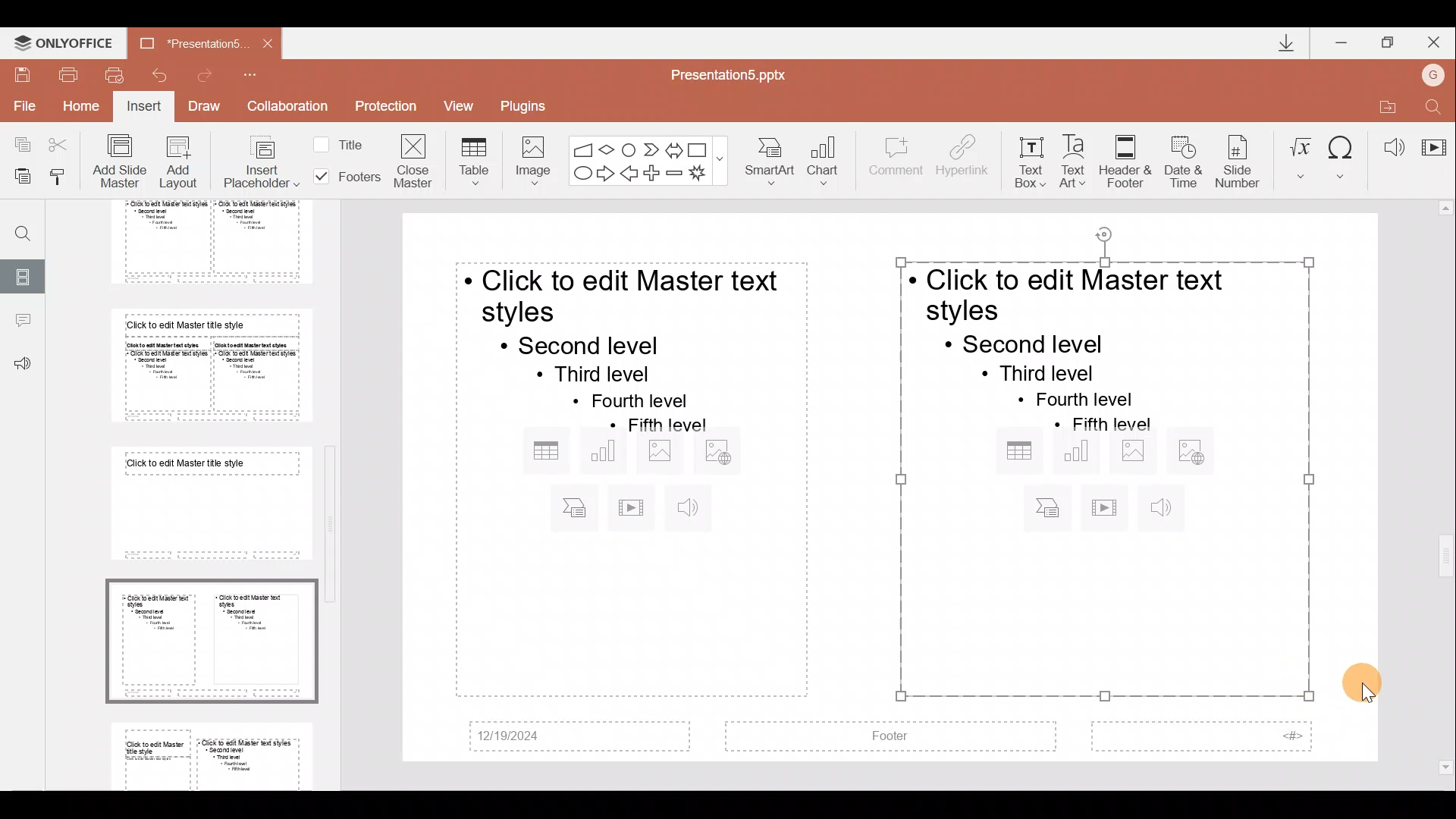  Describe the element at coordinates (260, 74) in the screenshot. I see `Customize quick access toolbar` at that location.